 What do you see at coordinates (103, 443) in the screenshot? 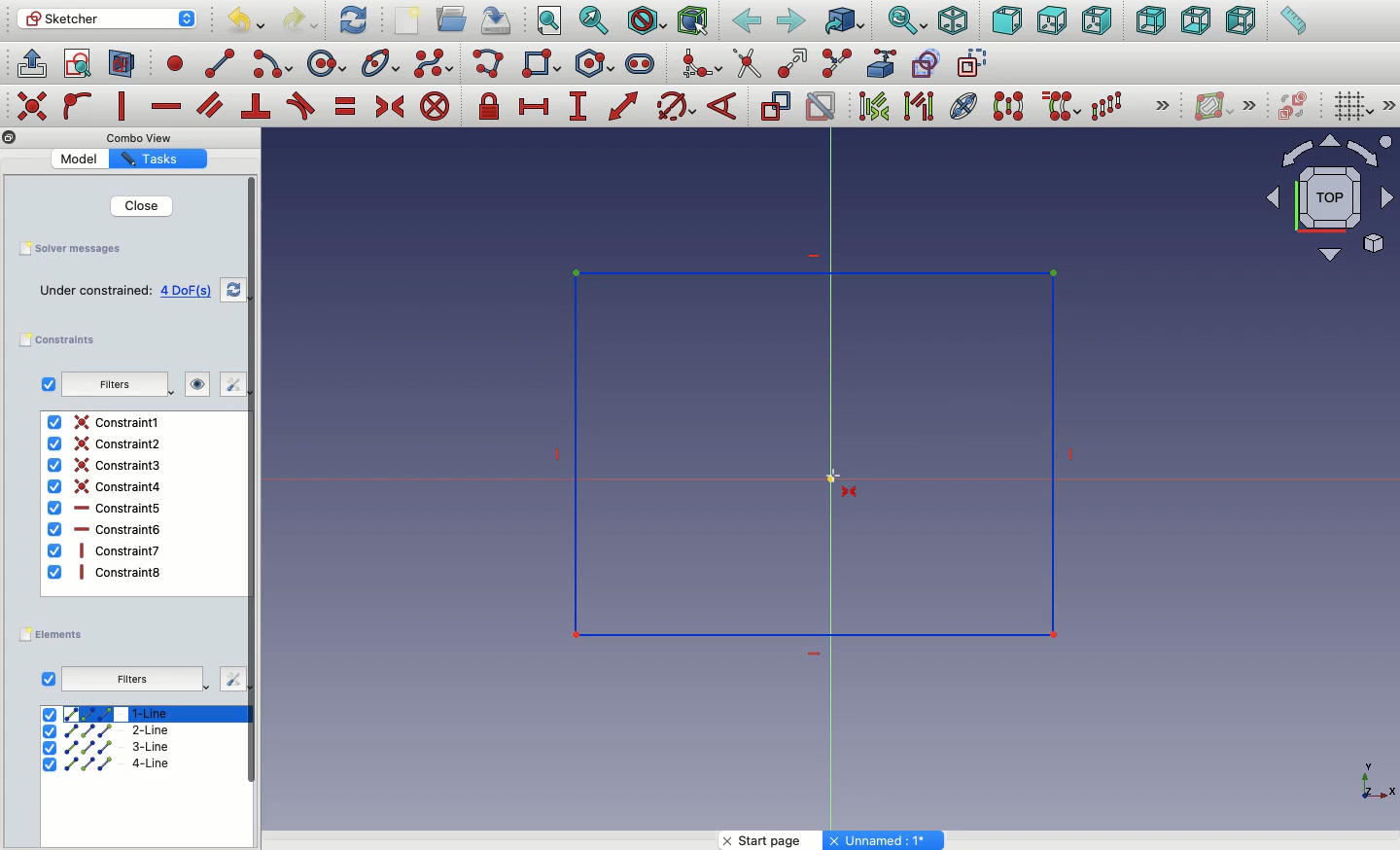
I see `Constraint2` at bounding box center [103, 443].